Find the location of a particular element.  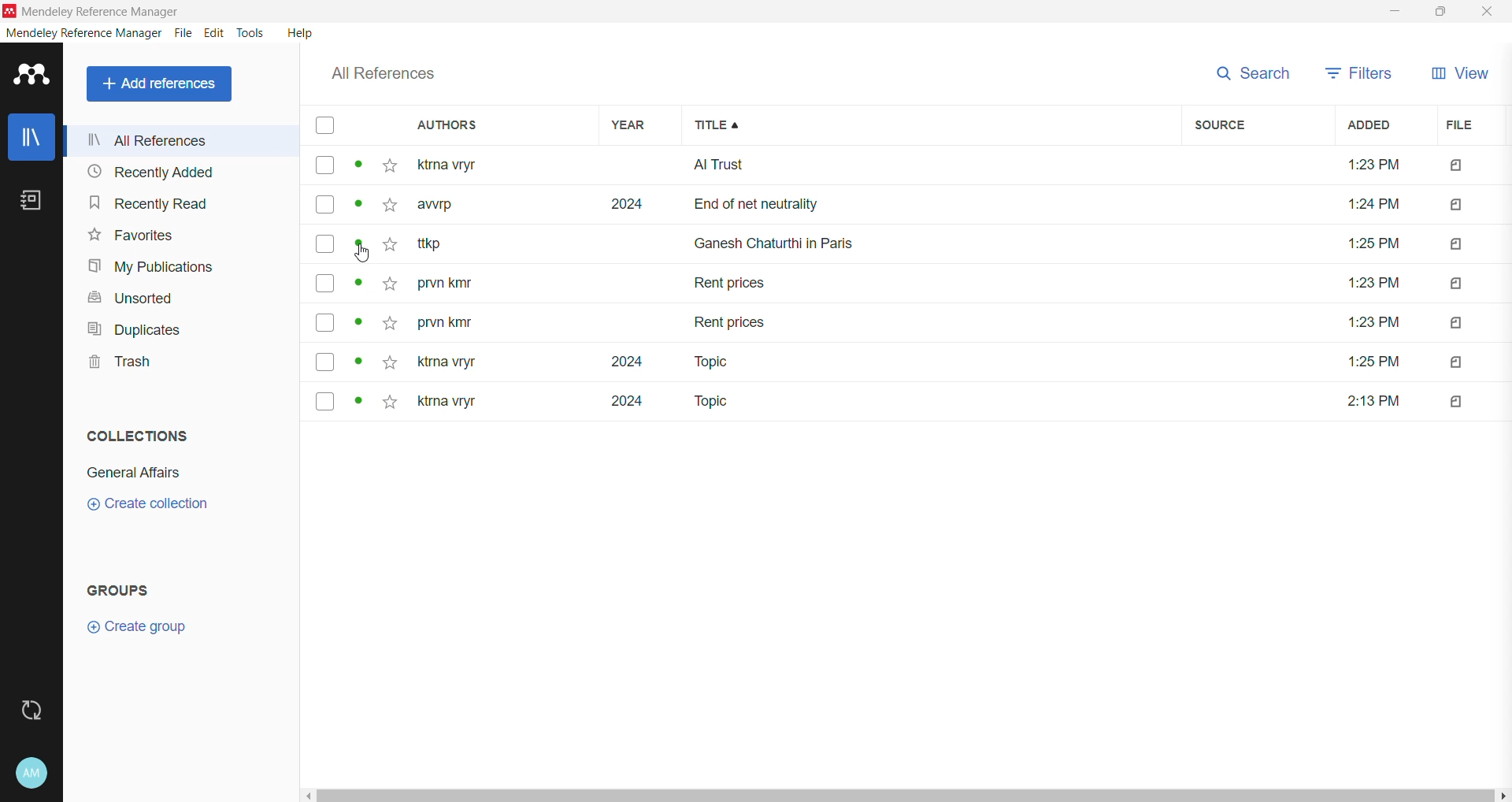

Close is located at coordinates (1488, 12).